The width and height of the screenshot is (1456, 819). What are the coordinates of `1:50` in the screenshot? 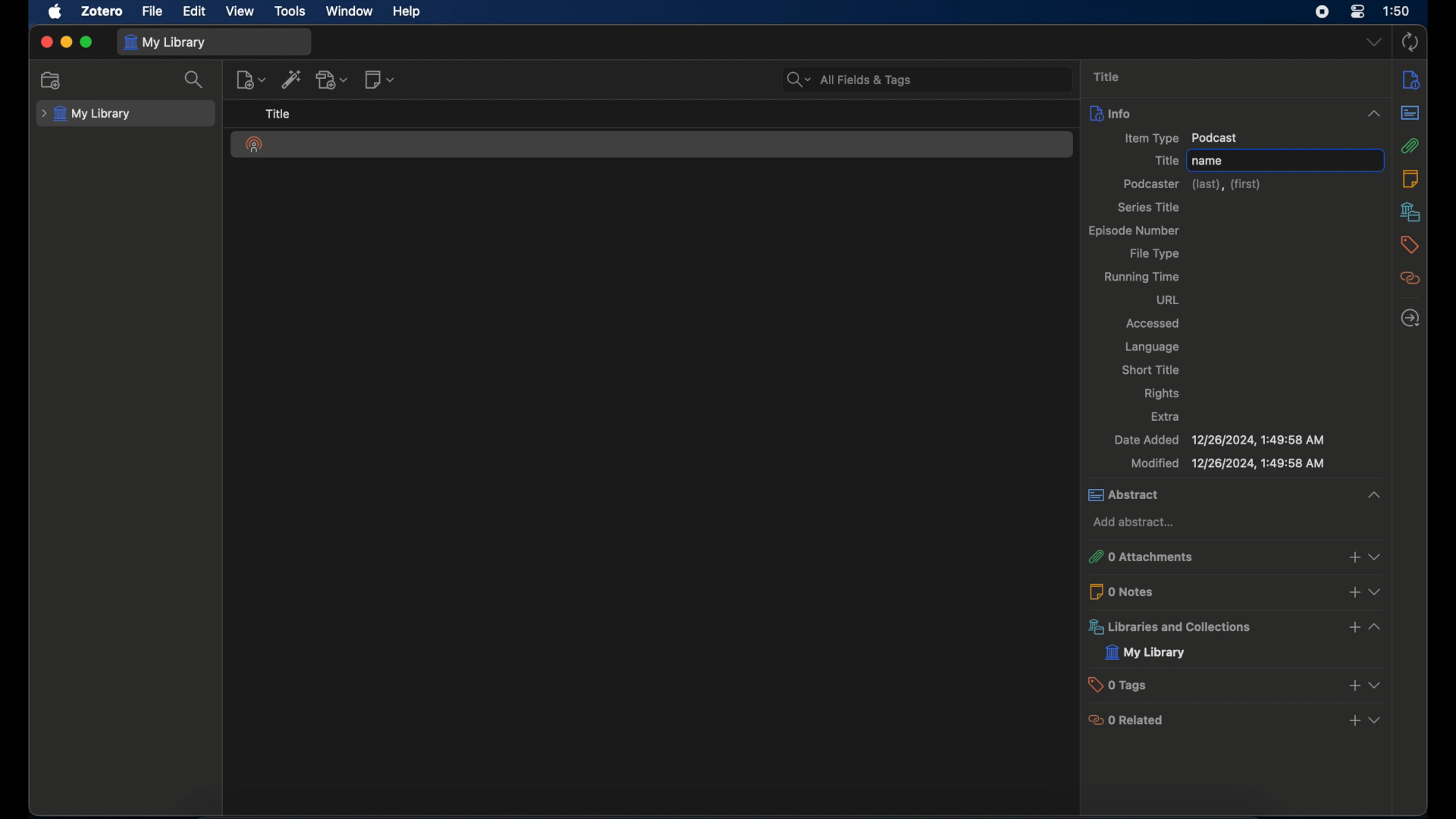 It's located at (1397, 10).